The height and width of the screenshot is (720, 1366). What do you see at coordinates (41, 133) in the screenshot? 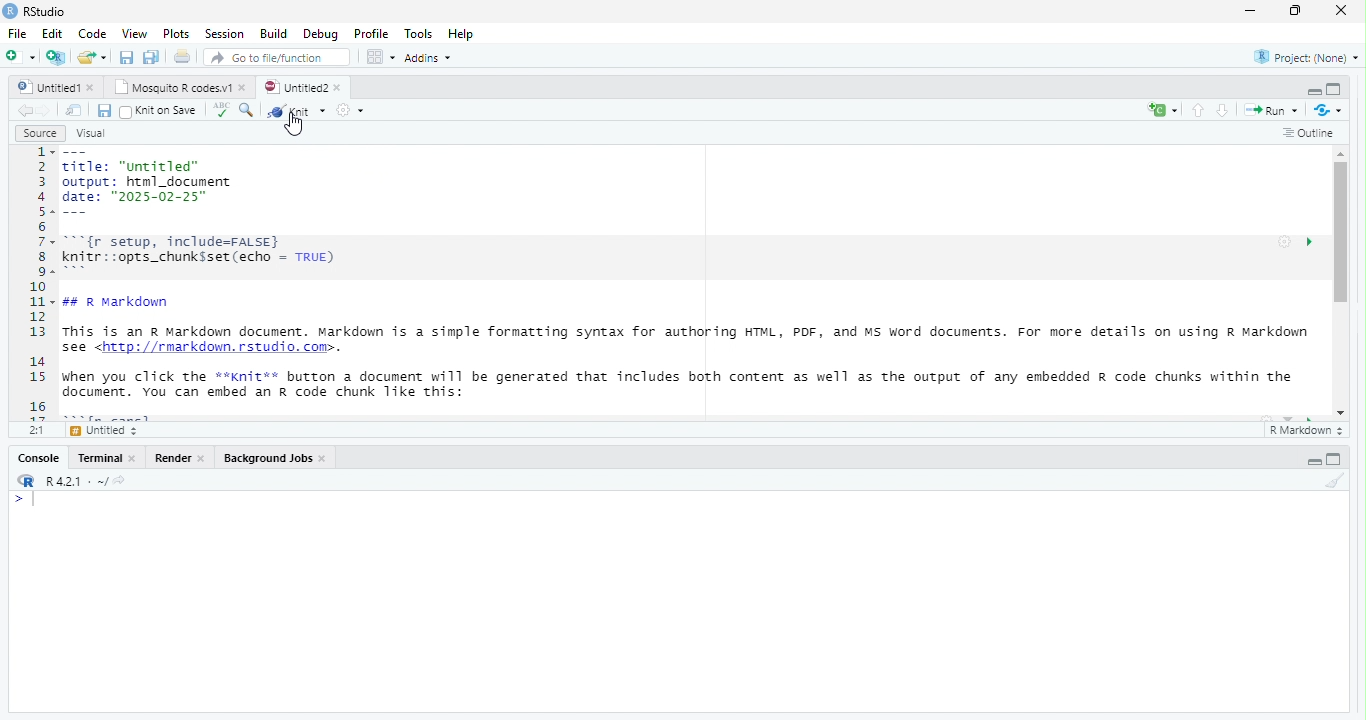
I see `Source` at bounding box center [41, 133].